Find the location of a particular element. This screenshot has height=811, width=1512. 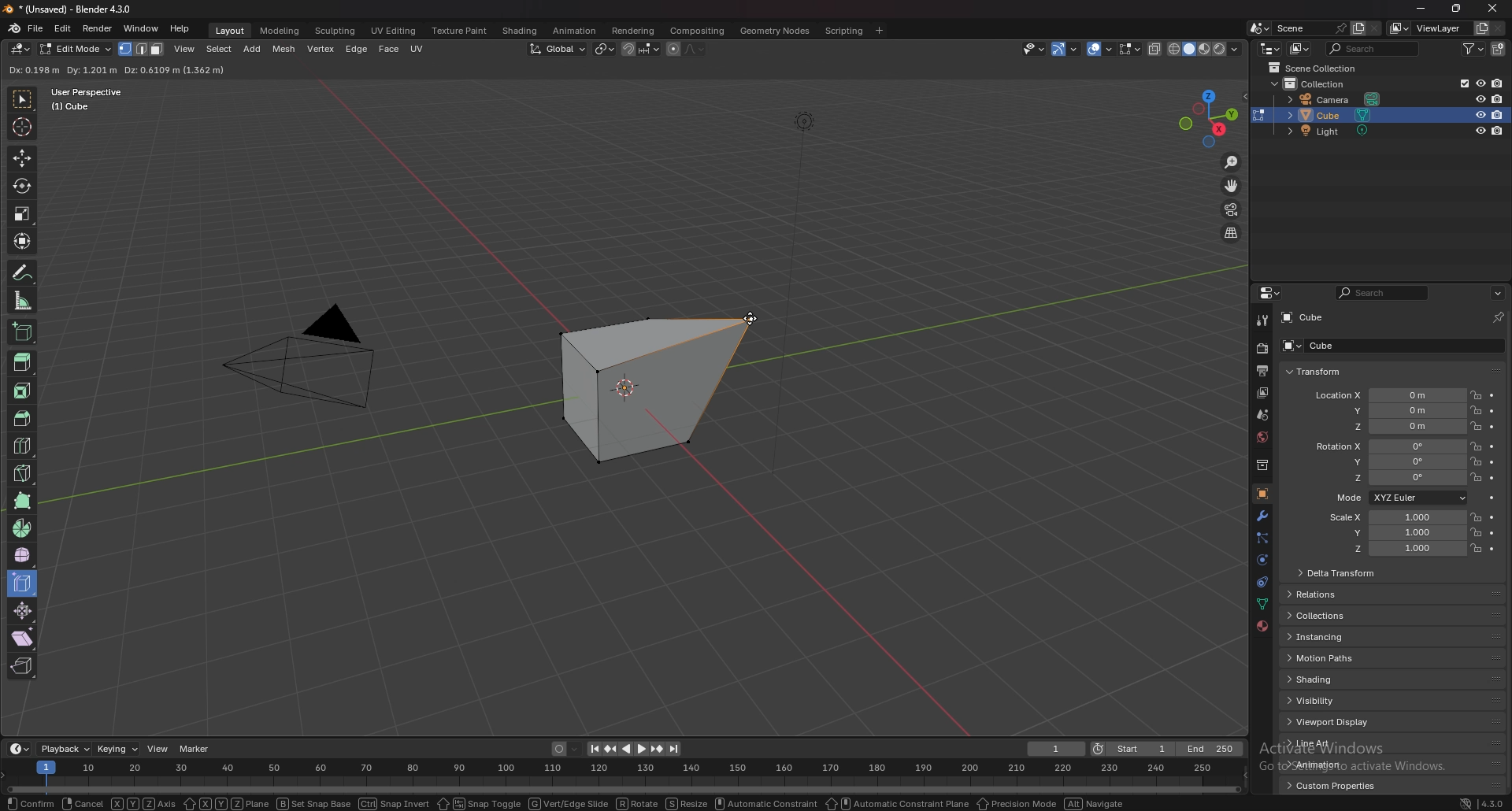

viewlayer is located at coordinates (1427, 28).